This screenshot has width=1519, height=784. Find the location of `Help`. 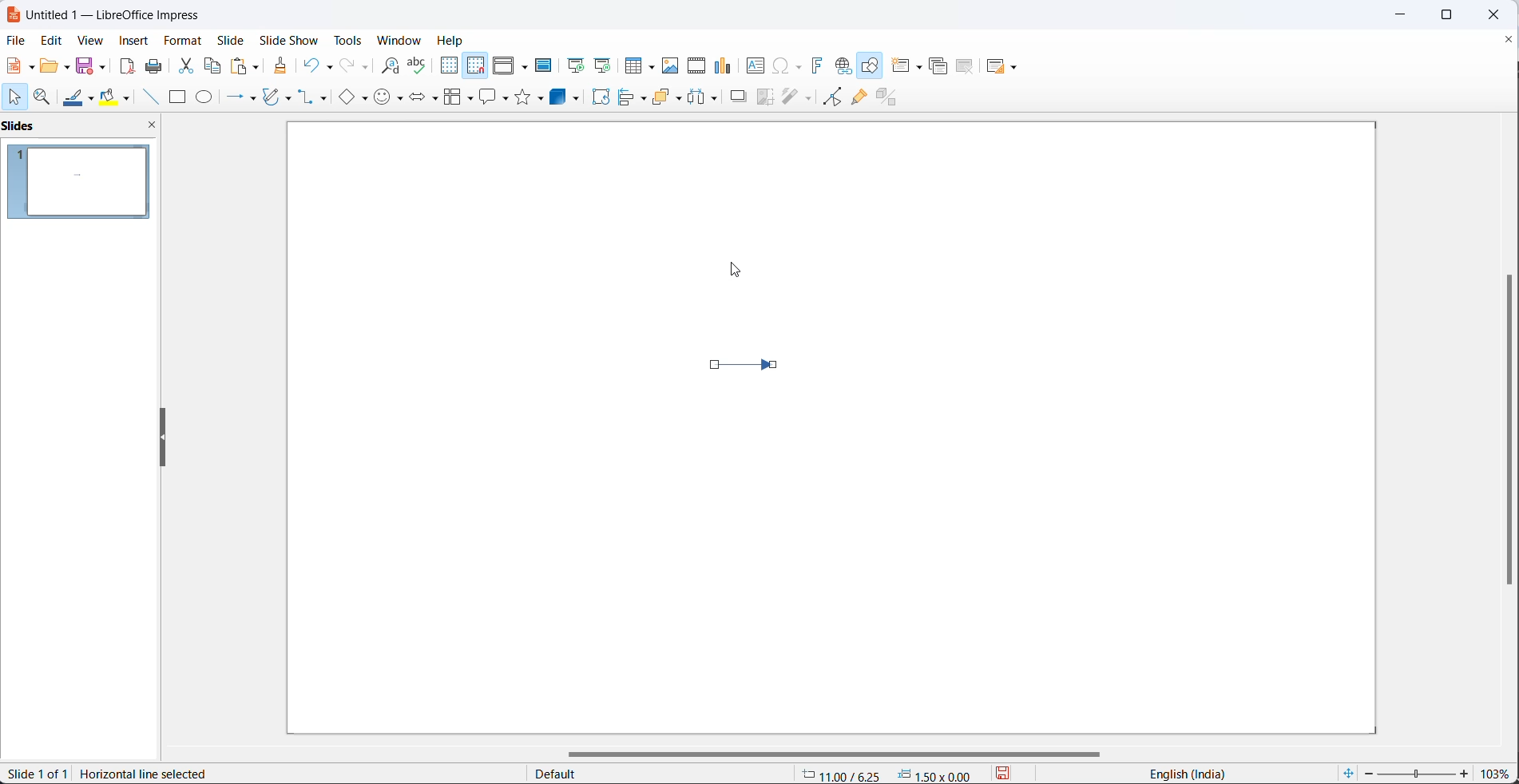

Help is located at coordinates (452, 41).